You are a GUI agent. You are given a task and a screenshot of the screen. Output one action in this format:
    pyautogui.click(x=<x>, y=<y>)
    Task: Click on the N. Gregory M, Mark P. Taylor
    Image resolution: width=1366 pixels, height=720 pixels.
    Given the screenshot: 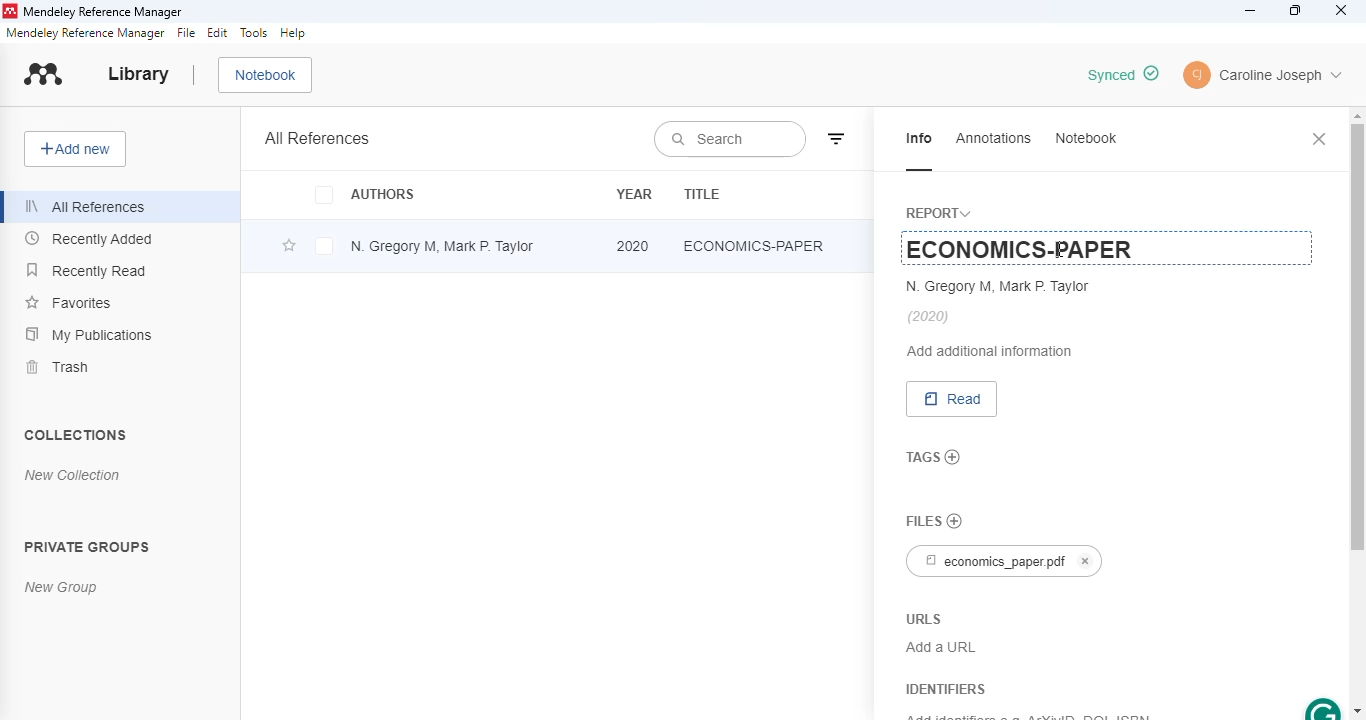 What is the action you would take?
    pyautogui.click(x=999, y=286)
    